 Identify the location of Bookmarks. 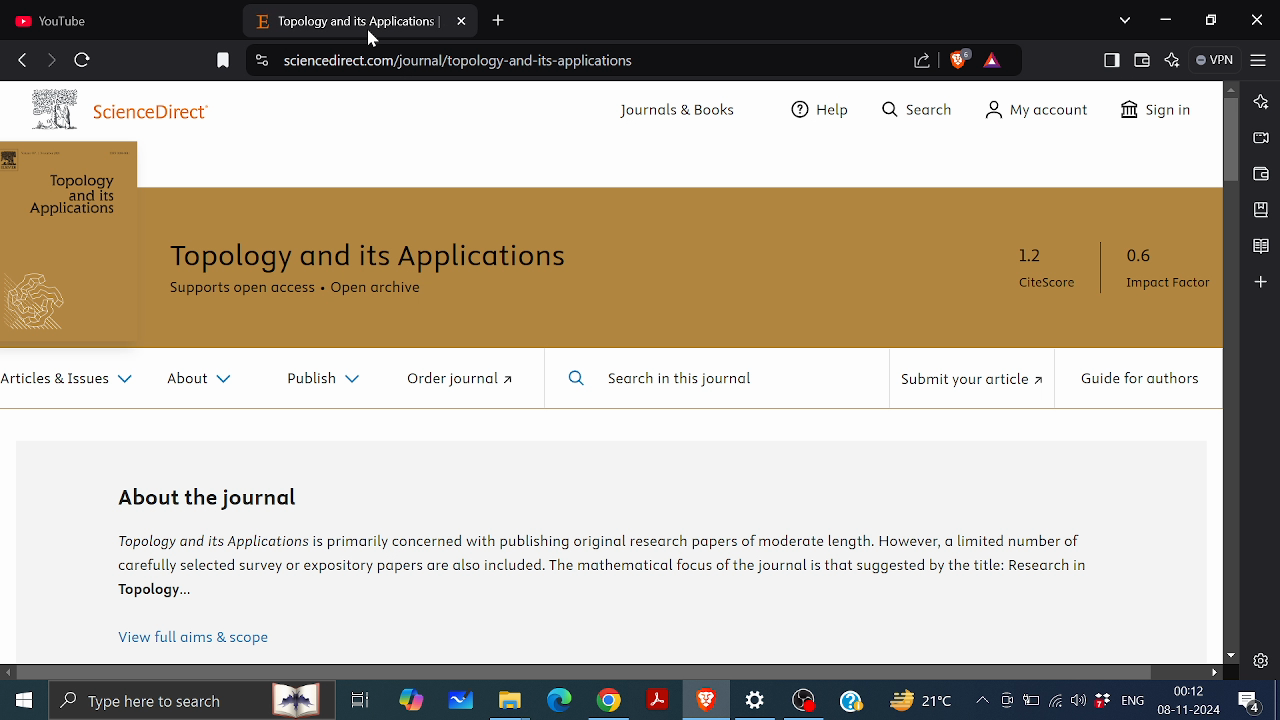
(1262, 209).